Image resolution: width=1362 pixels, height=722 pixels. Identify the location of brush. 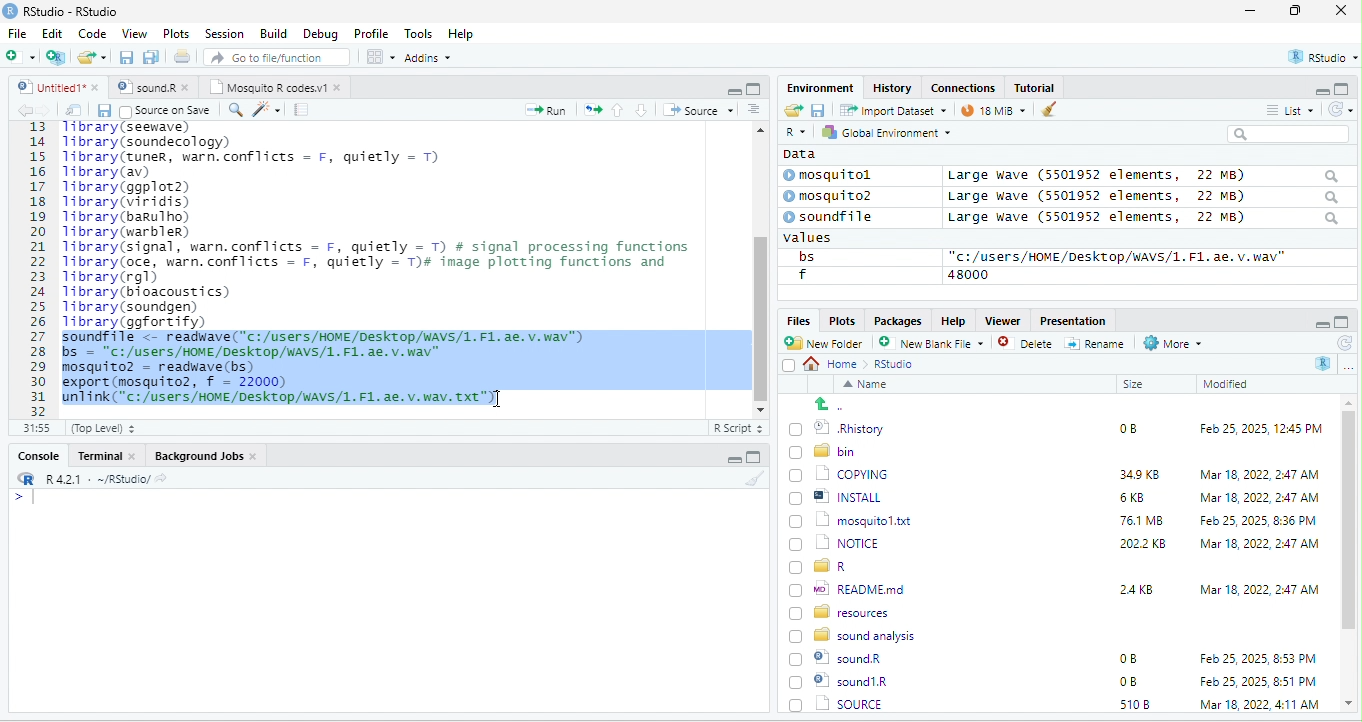
(757, 479).